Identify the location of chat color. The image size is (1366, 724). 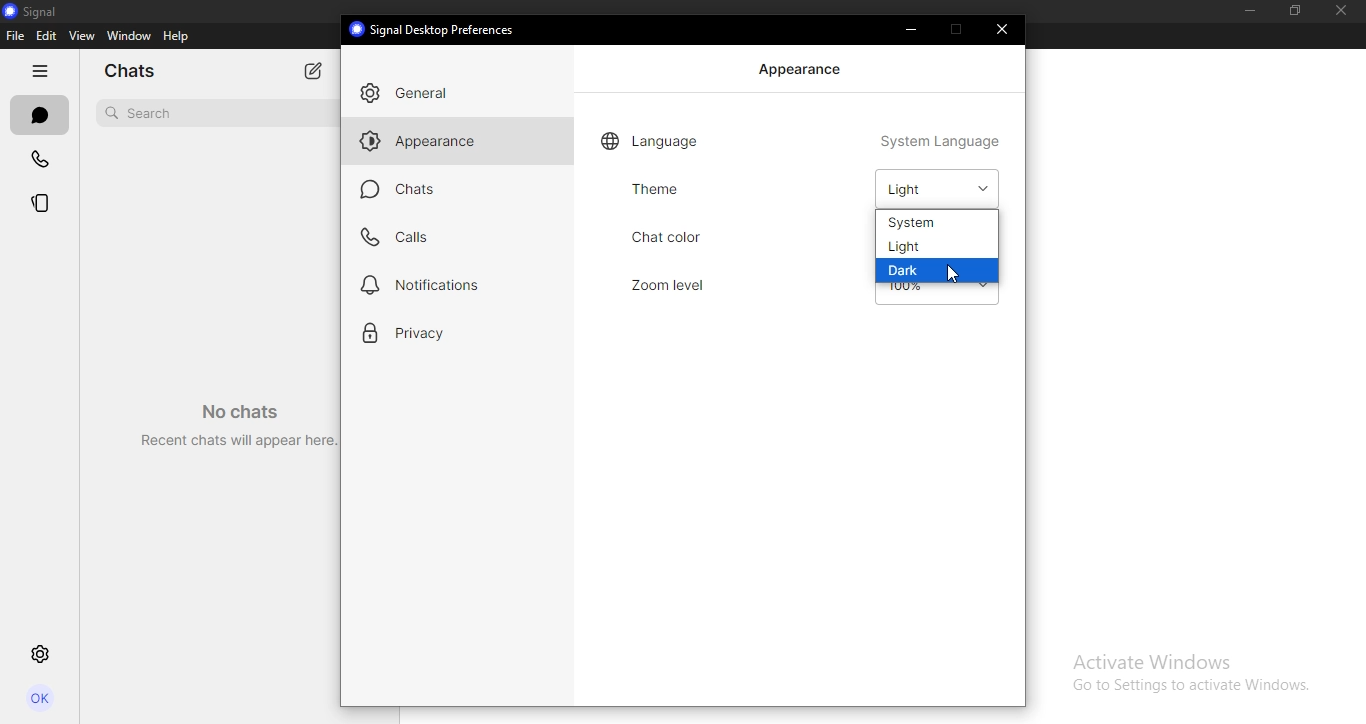
(702, 237).